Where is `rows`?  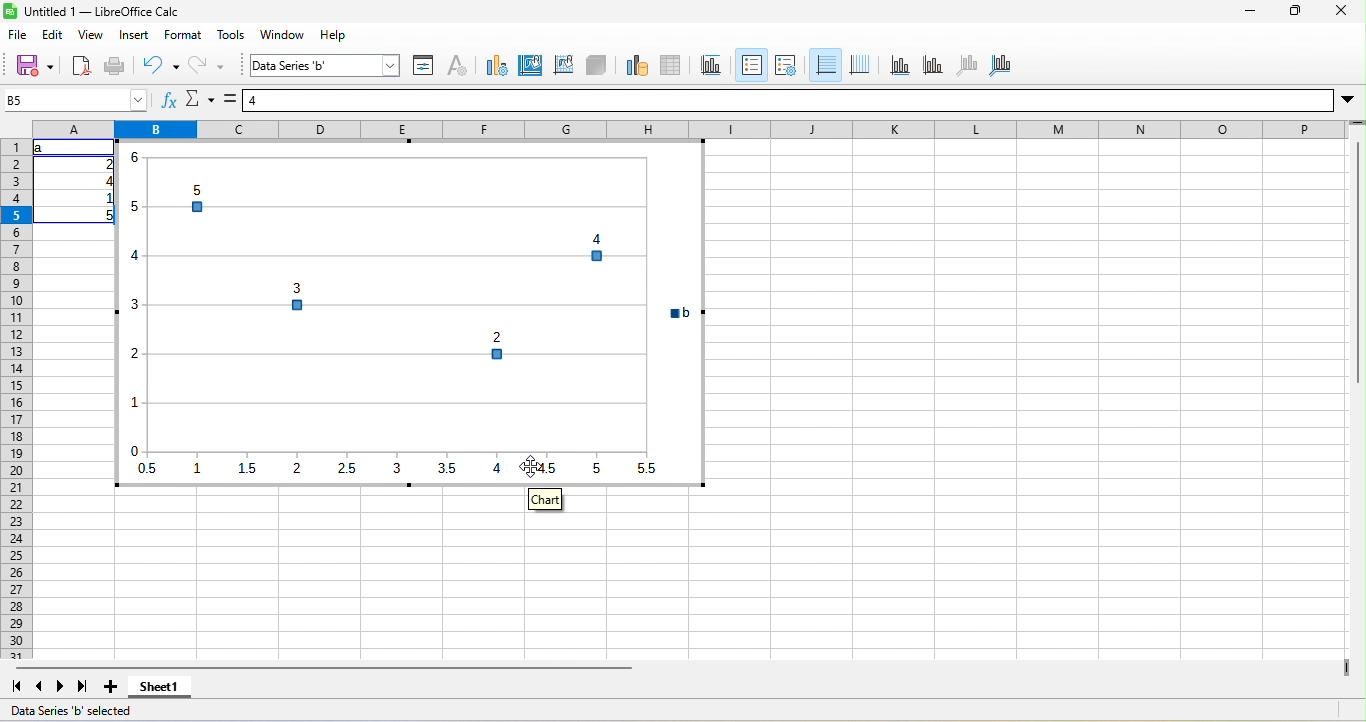 rows is located at coordinates (16, 399).